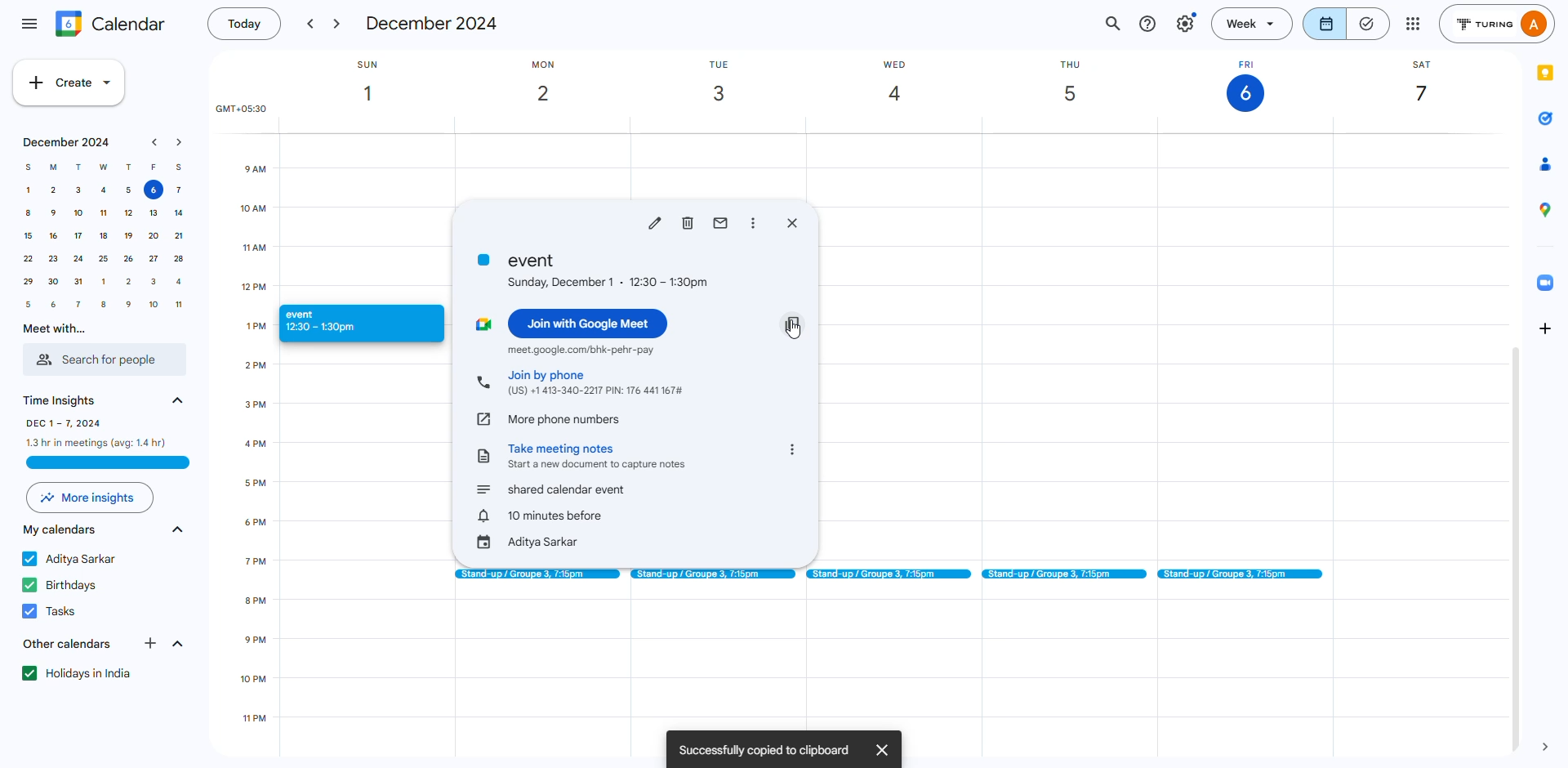 The height and width of the screenshot is (768, 1568). What do you see at coordinates (65, 644) in the screenshot?
I see `other` at bounding box center [65, 644].